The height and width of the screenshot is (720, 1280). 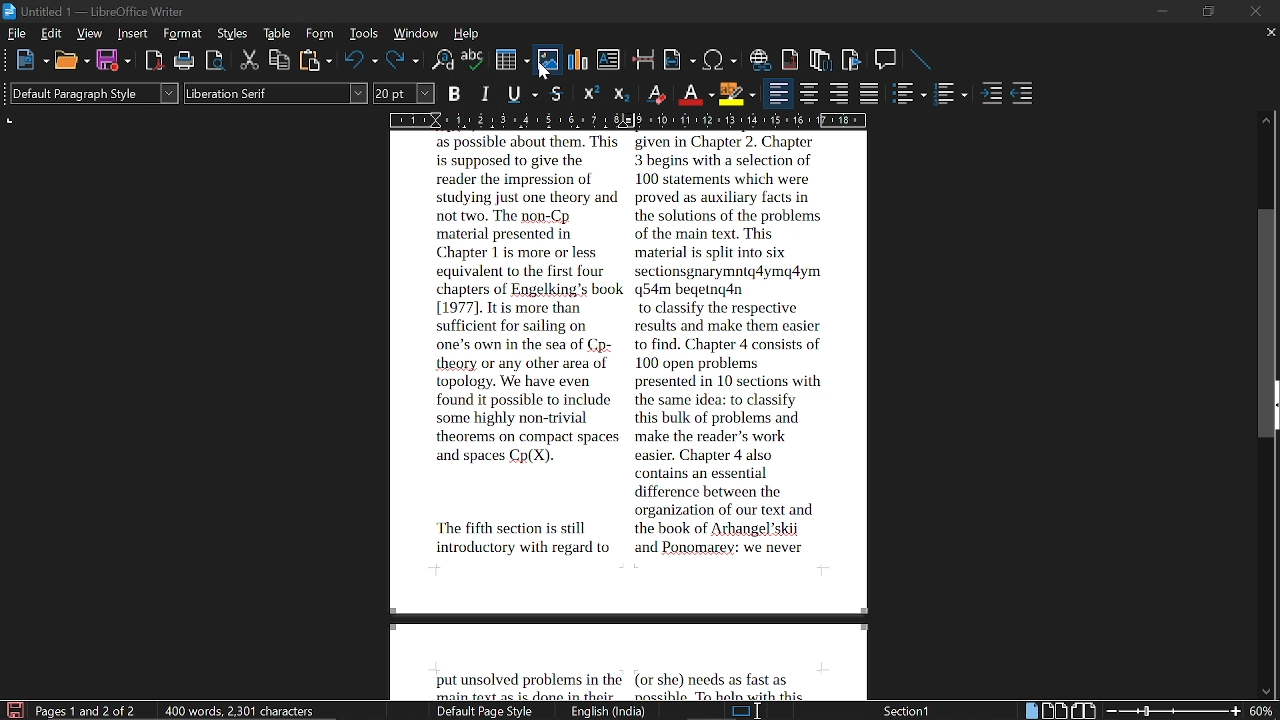 What do you see at coordinates (644, 59) in the screenshot?
I see `insert page break` at bounding box center [644, 59].